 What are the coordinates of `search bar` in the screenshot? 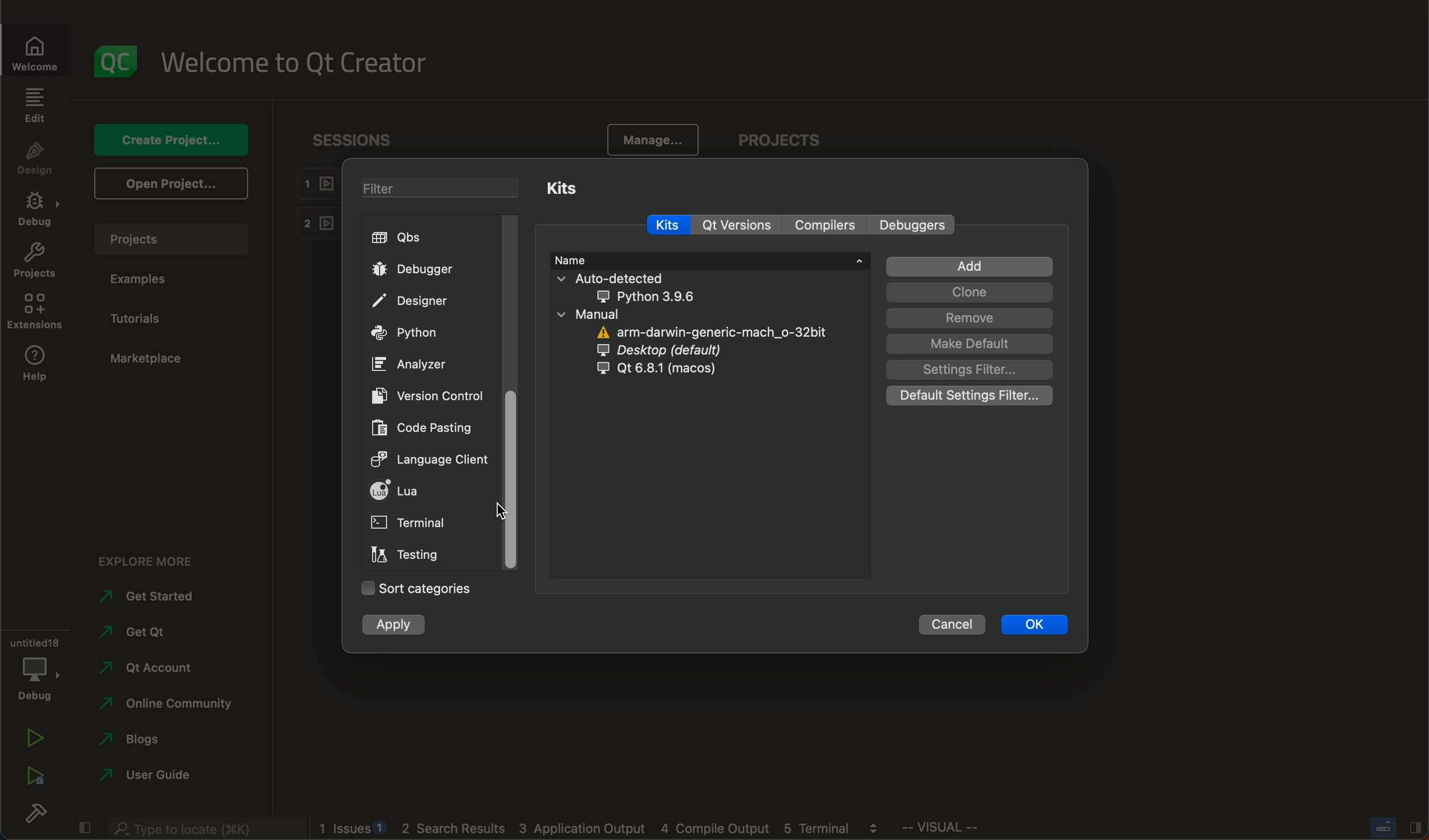 It's located at (198, 828).